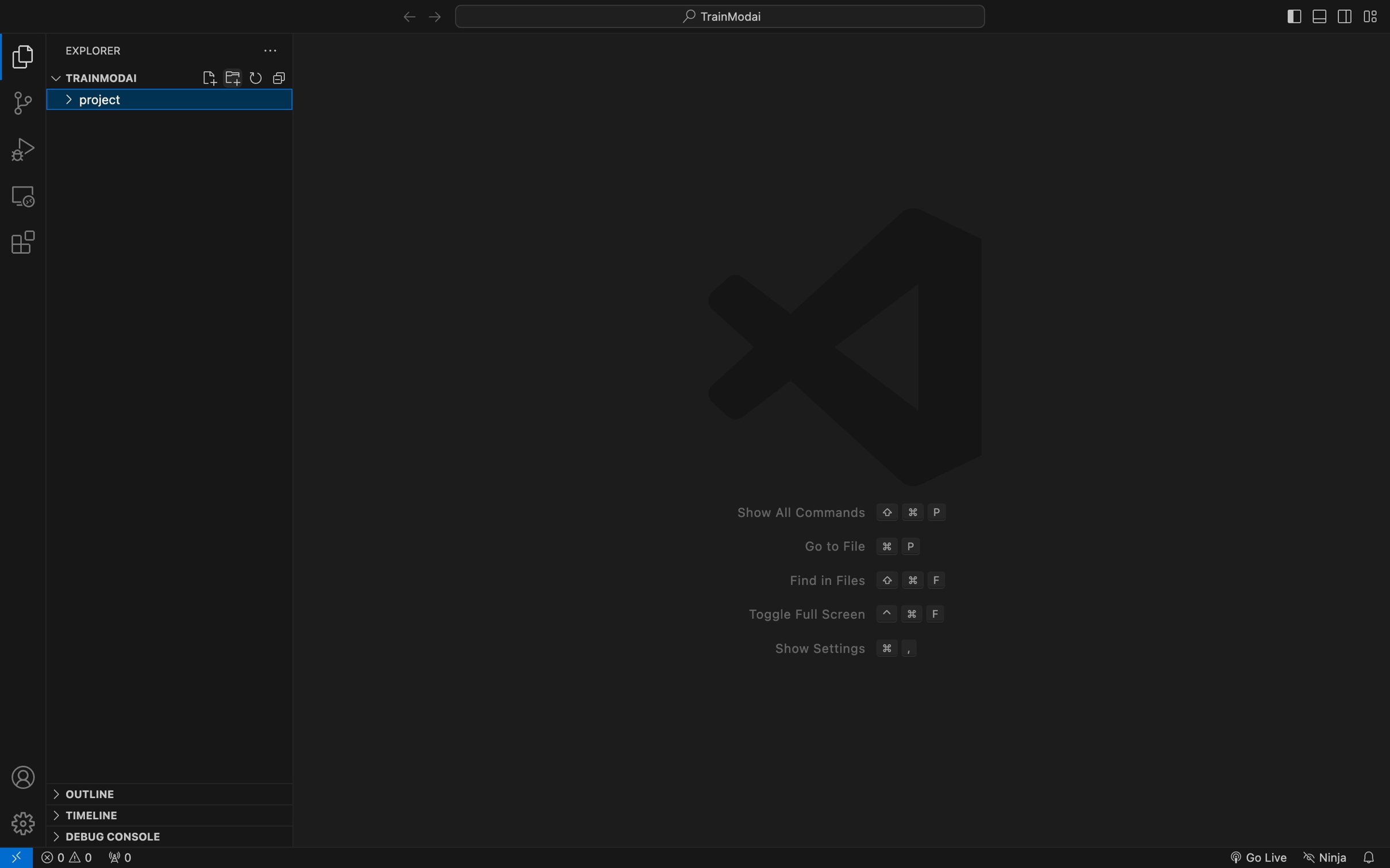 This screenshot has width=1390, height=868. What do you see at coordinates (1374, 16) in the screenshot?
I see `toggle sidebar` at bounding box center [1374, 16].